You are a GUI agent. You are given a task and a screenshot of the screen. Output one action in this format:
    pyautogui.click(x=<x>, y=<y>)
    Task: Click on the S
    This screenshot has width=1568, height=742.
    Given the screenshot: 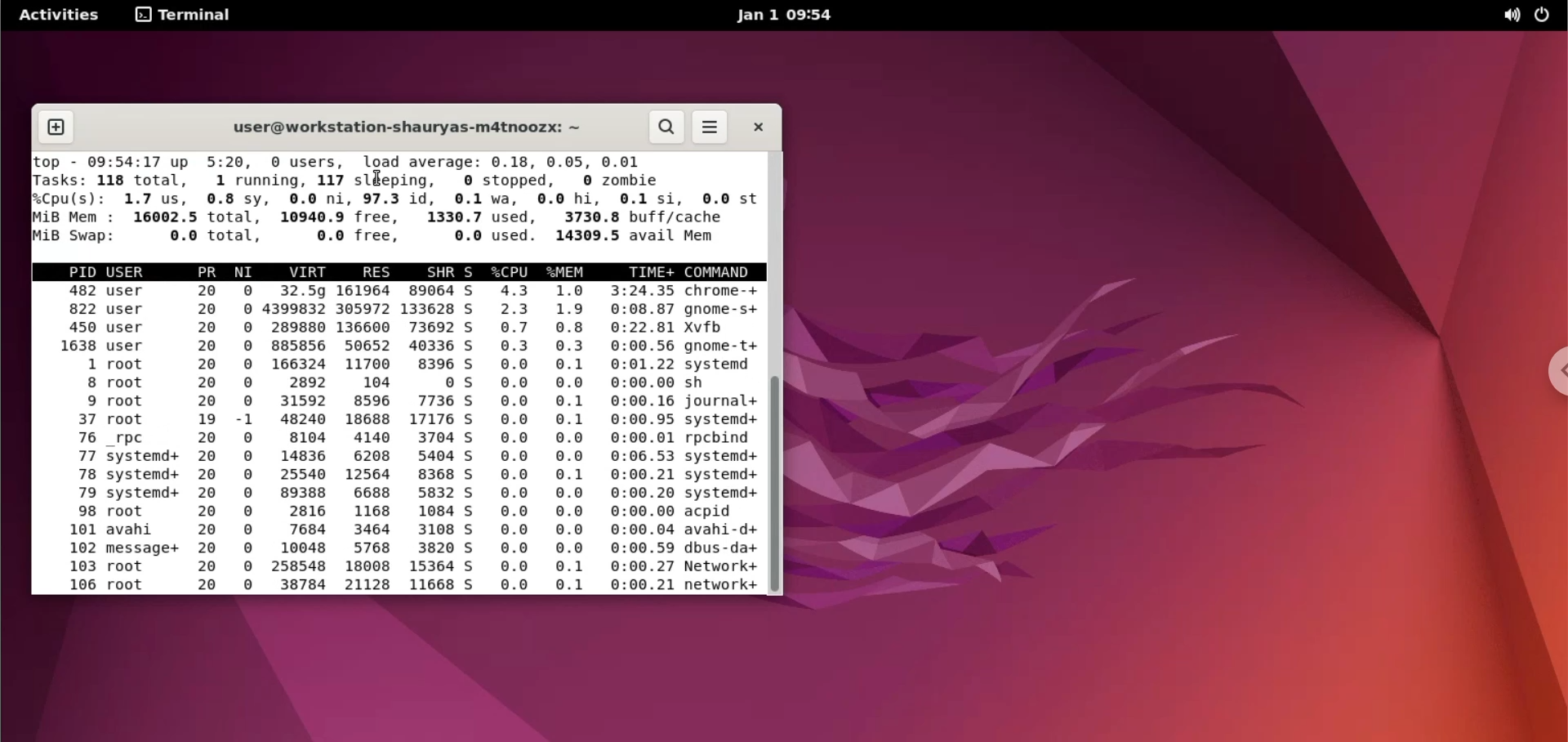 What is the action you would take?
    pyautogui.click(x=476, y=440)
    